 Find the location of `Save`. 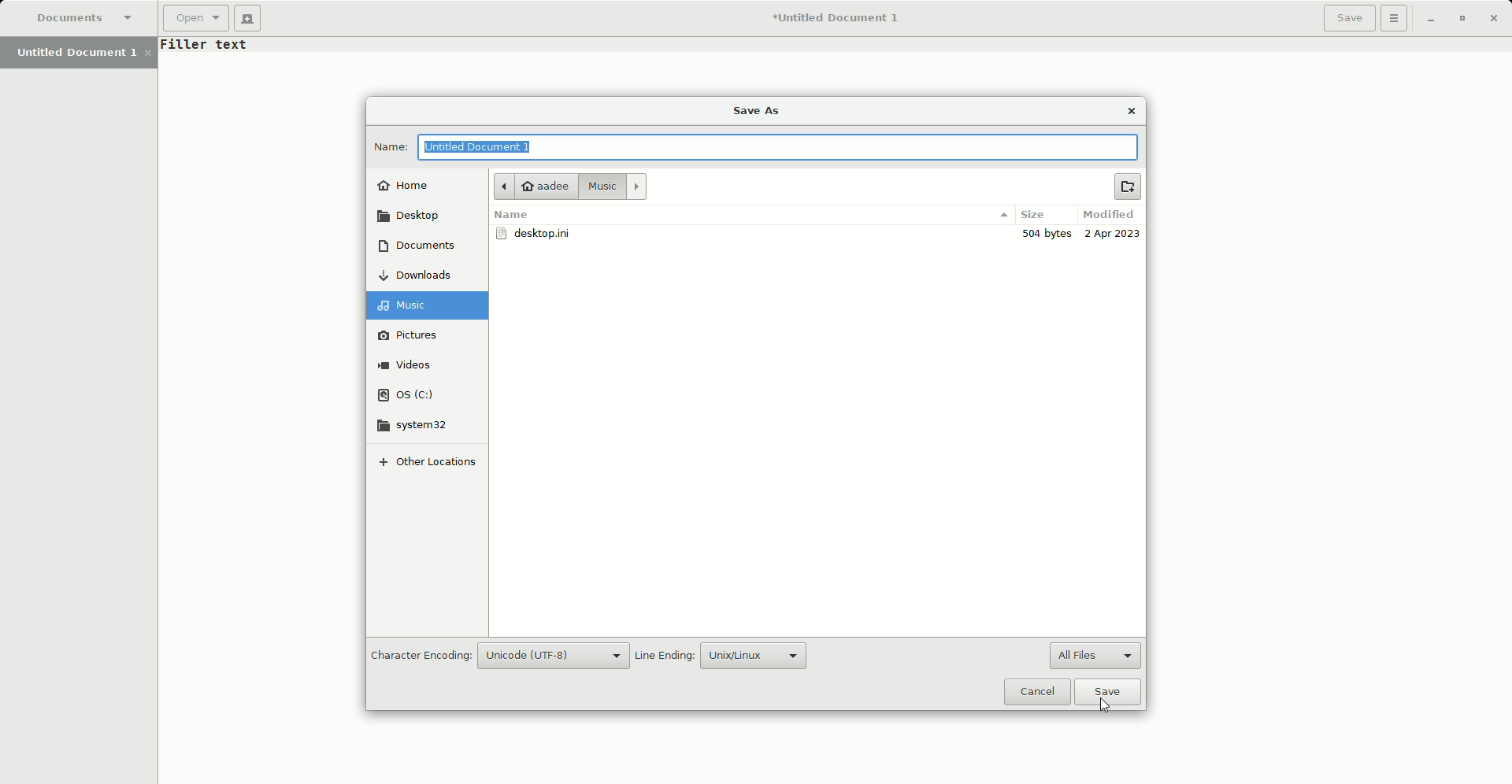

Save is located at coordinates (1113, 693).